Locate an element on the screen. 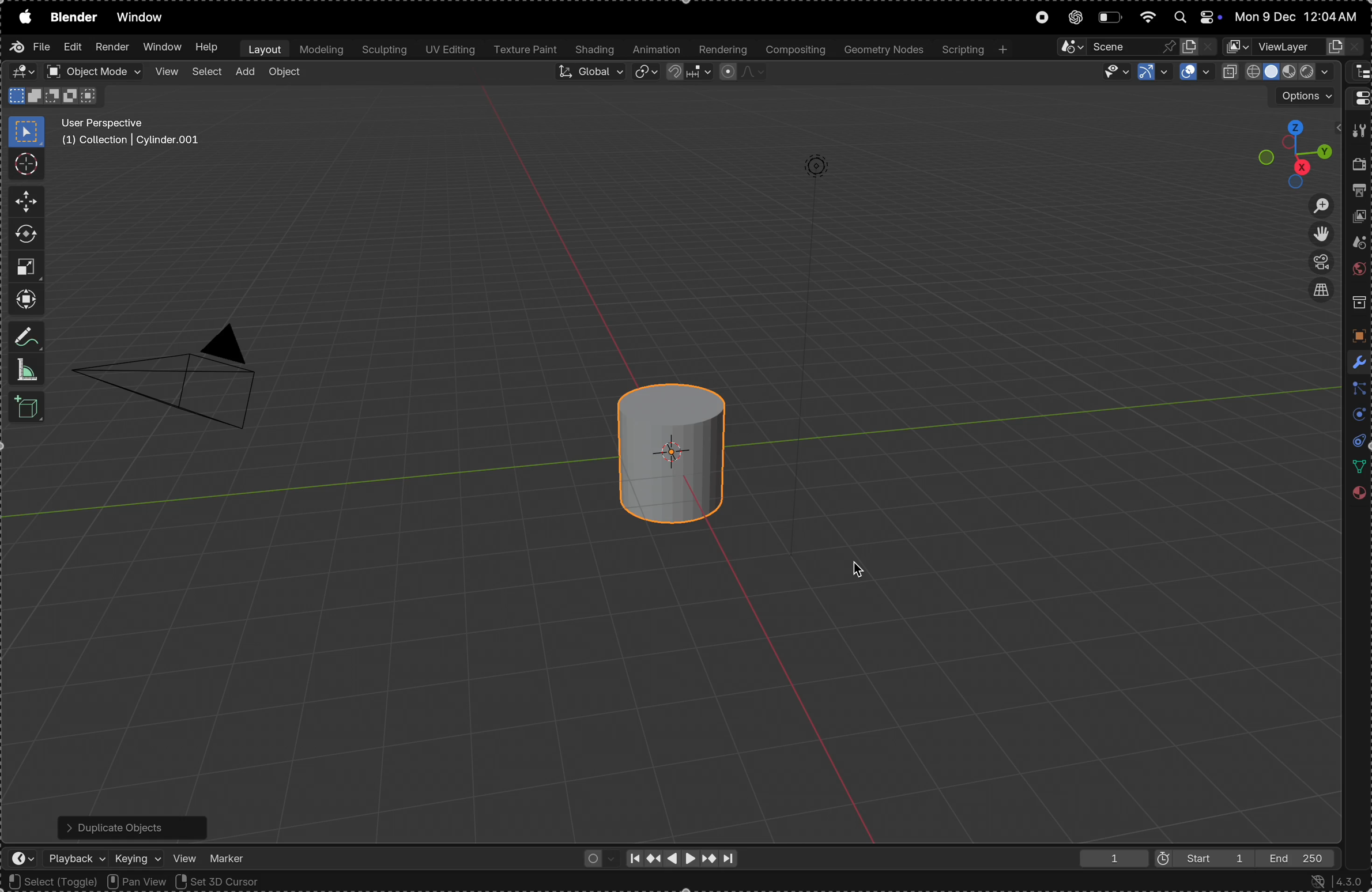 This screenshot has height=892, width=1372. Duplicate objects is located at coordinates (130, 825).